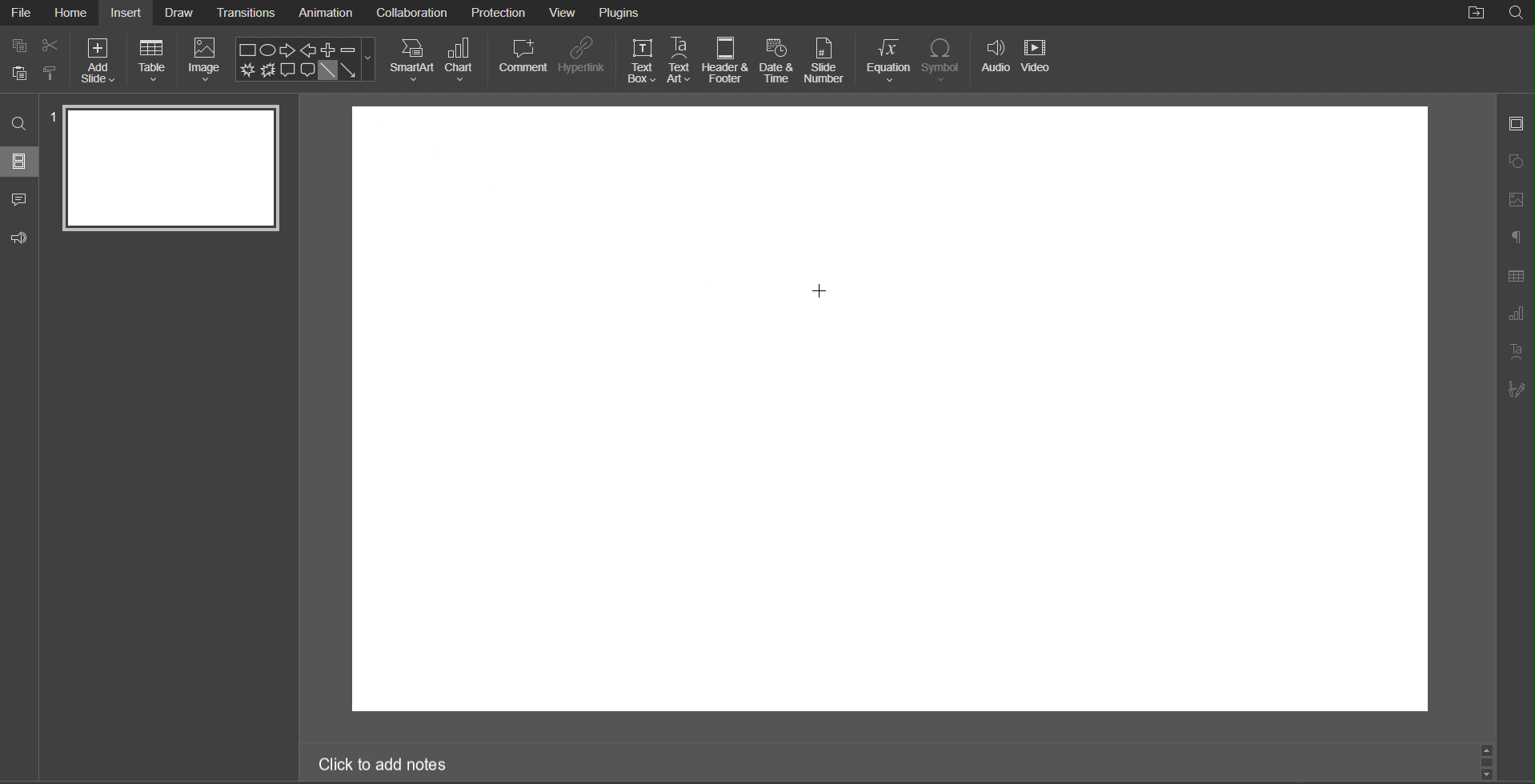 The image size is (1535, 784). Describe the element at coordinates (1516, 14) in the screenshot. I see `Search` at that location.